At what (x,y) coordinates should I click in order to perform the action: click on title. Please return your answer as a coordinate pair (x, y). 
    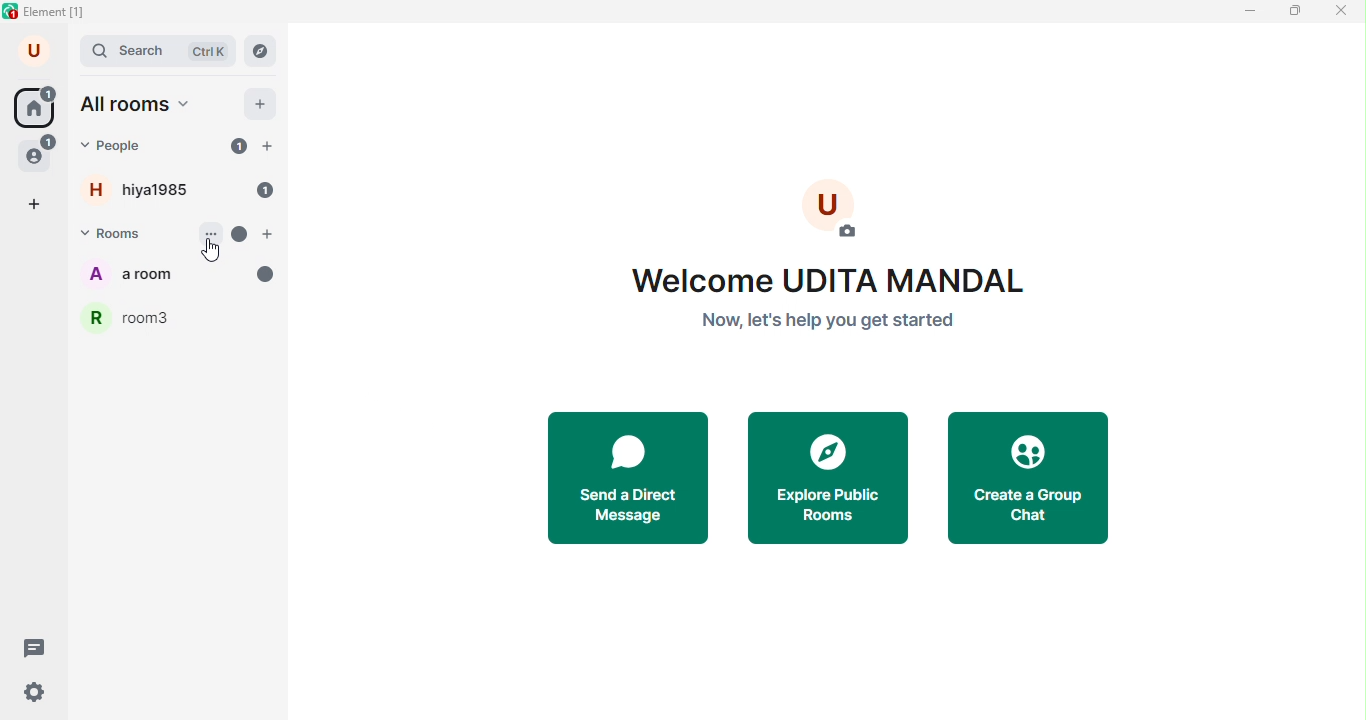
    Looking at the image, I should click on (52, 12).